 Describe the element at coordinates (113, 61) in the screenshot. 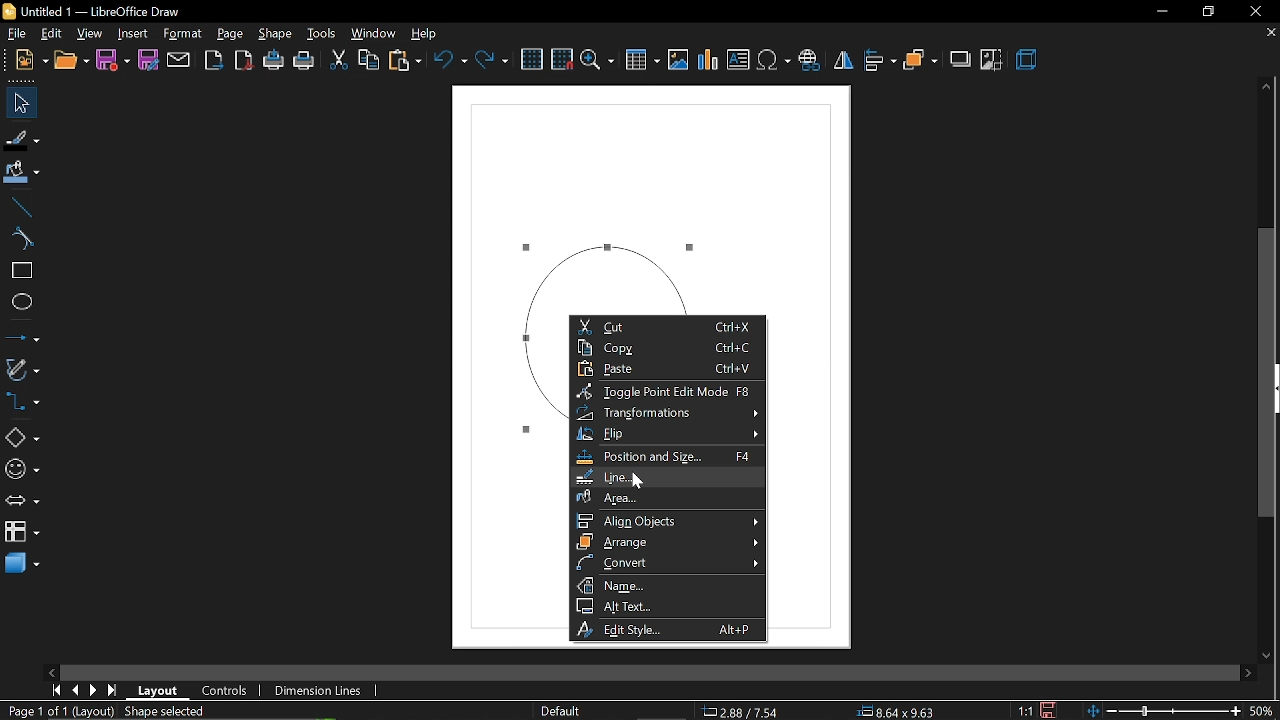

I see `save` at that location.